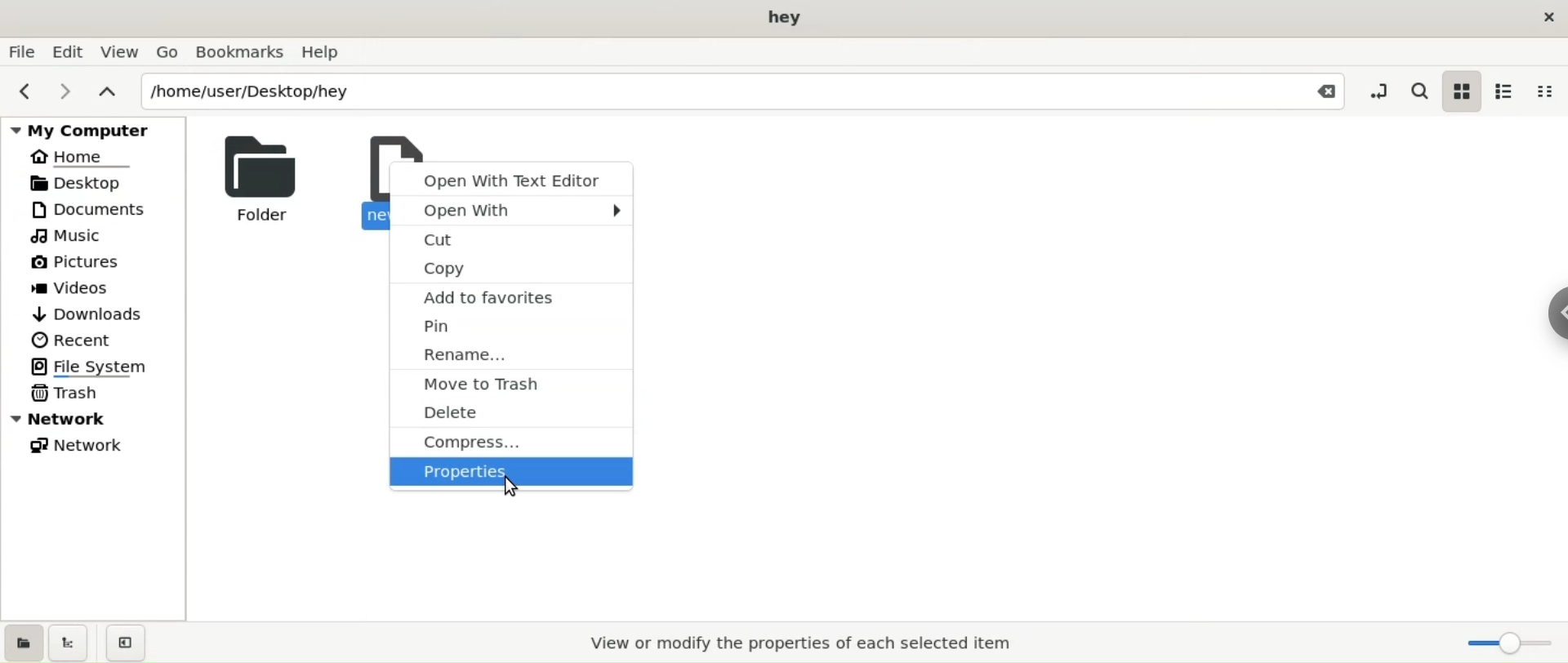 The width and height of the screenshot is (1568, 663). What do you see at coordinates (512, 178) in the screenshot?
I see `open with text editor` at bounding box center [512, 178].